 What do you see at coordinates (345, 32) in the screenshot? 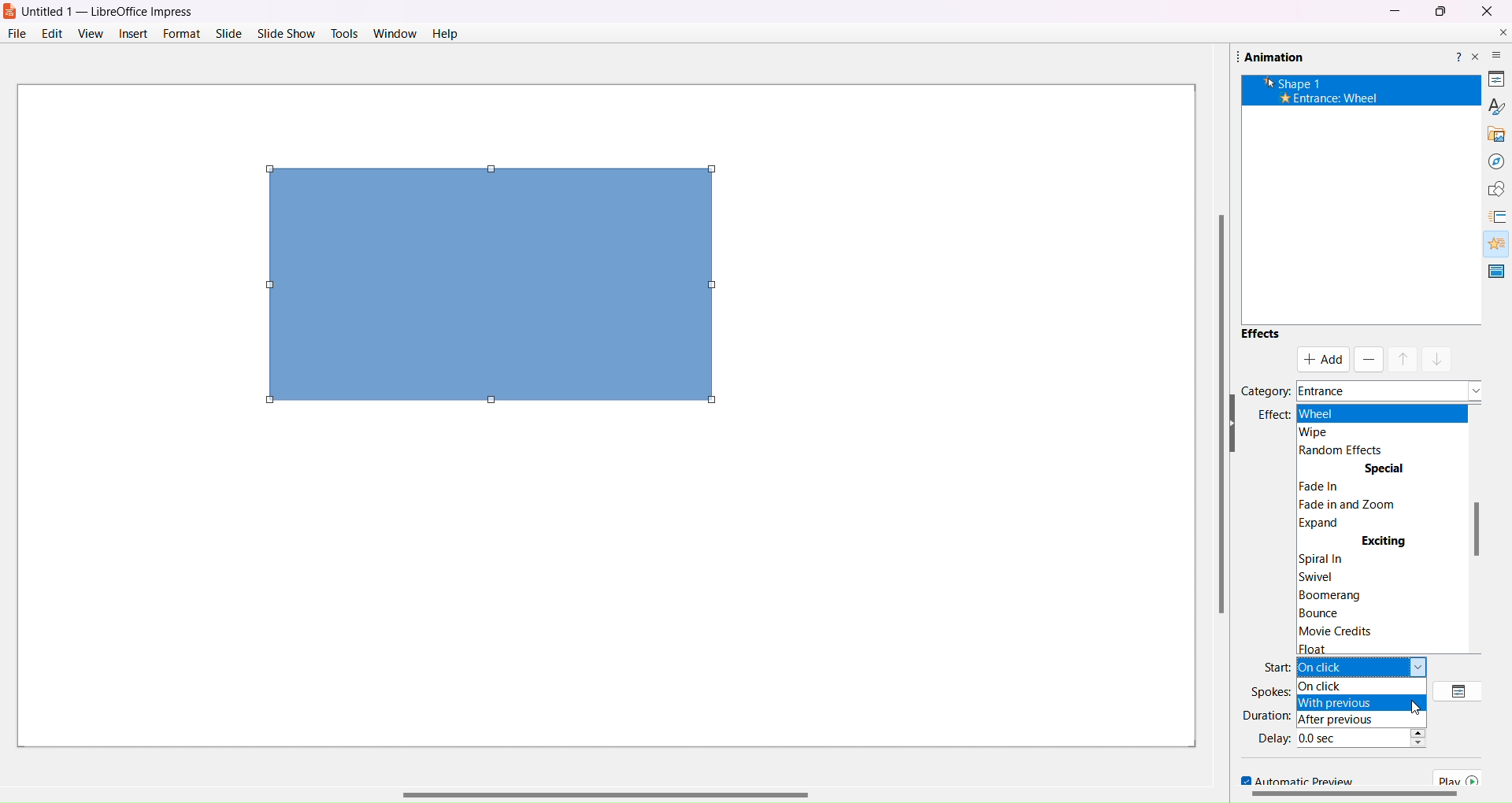
I see `Tools` at bounding box center [345, 32].